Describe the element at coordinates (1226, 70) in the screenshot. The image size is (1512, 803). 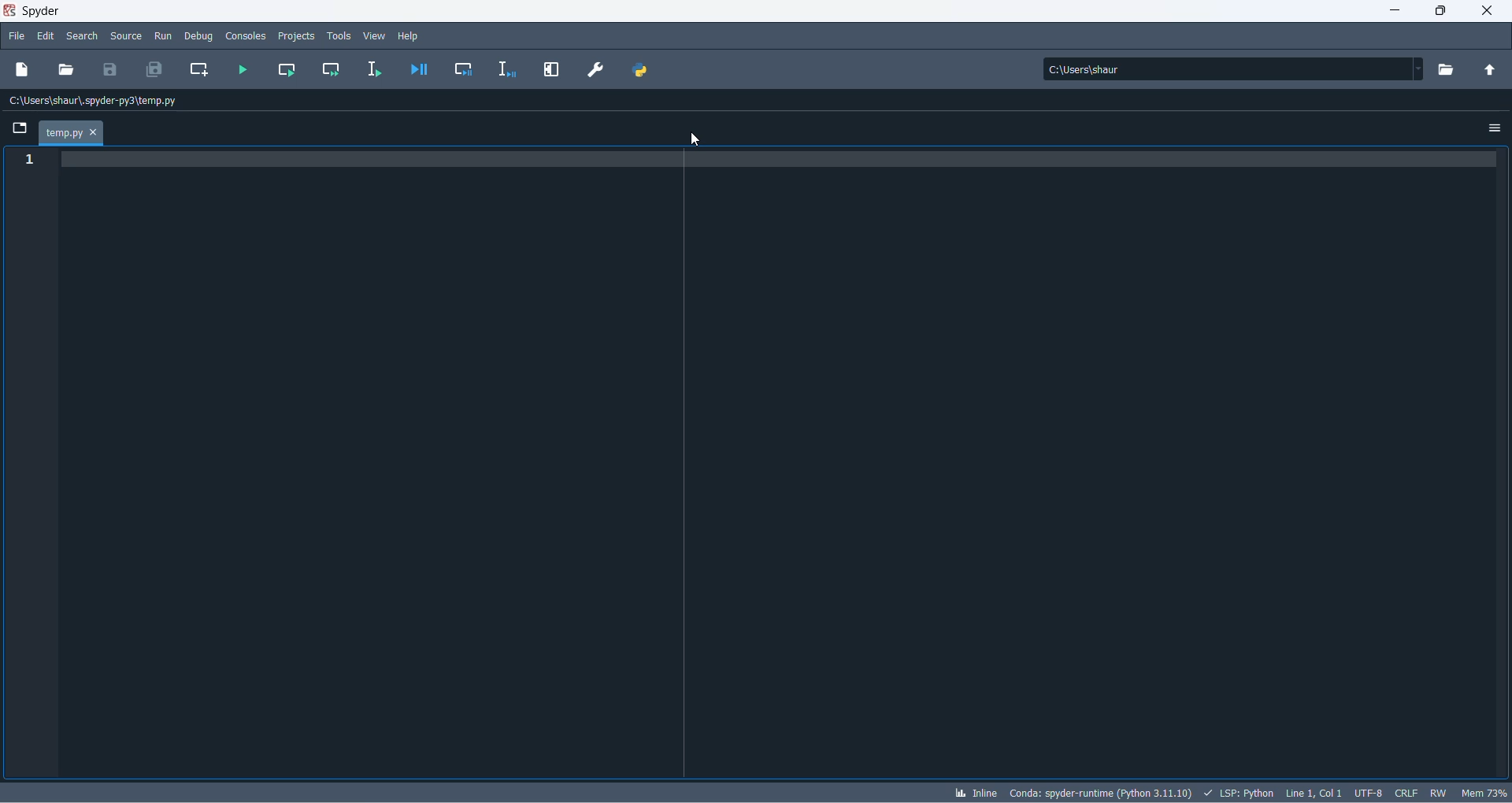
I see `path` at that location.